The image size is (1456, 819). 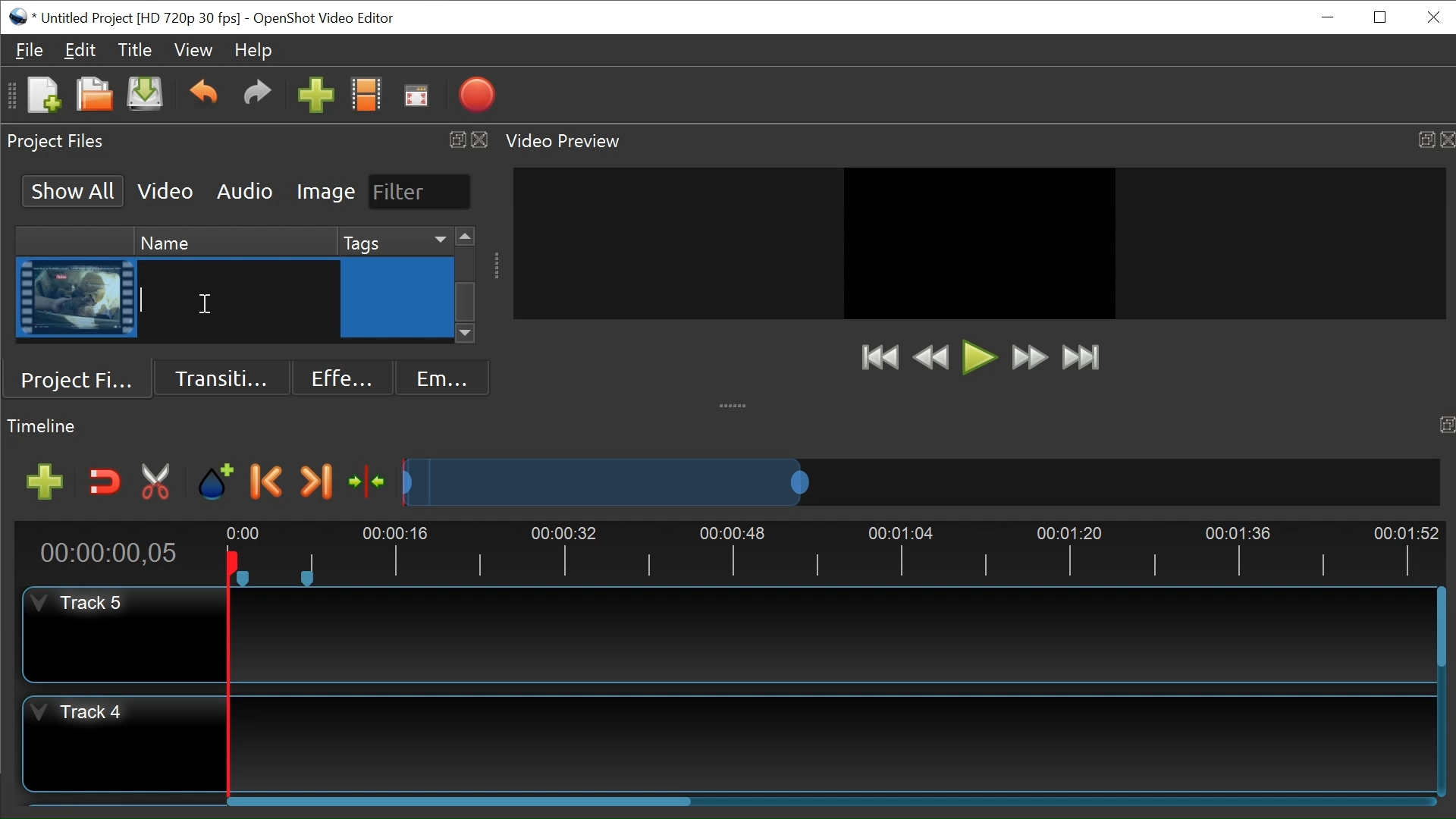 I want to click on Project Name, so click(x=144, y=17).